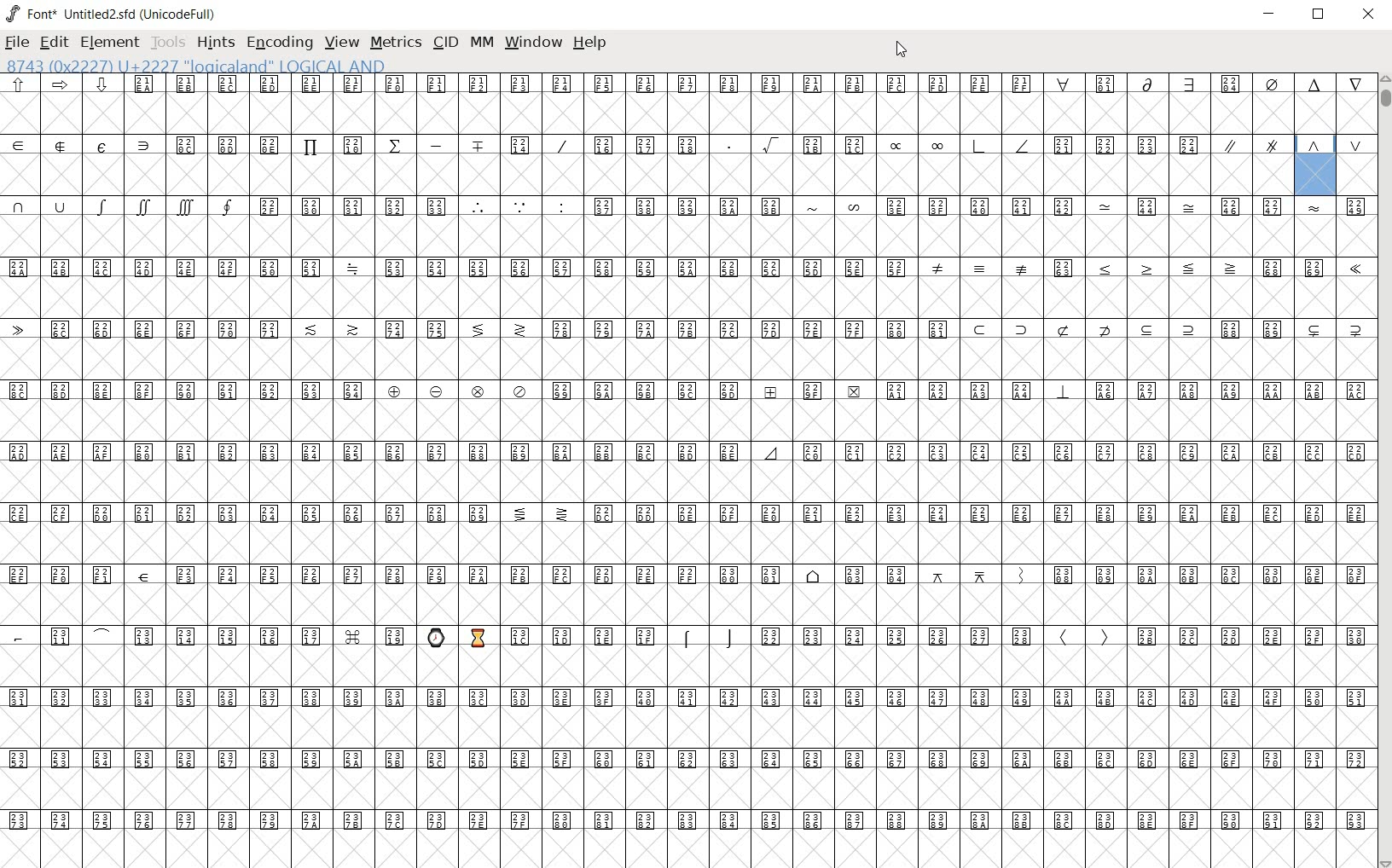 The image size is (1392, 868). I want to click on window, so click(532, 42).